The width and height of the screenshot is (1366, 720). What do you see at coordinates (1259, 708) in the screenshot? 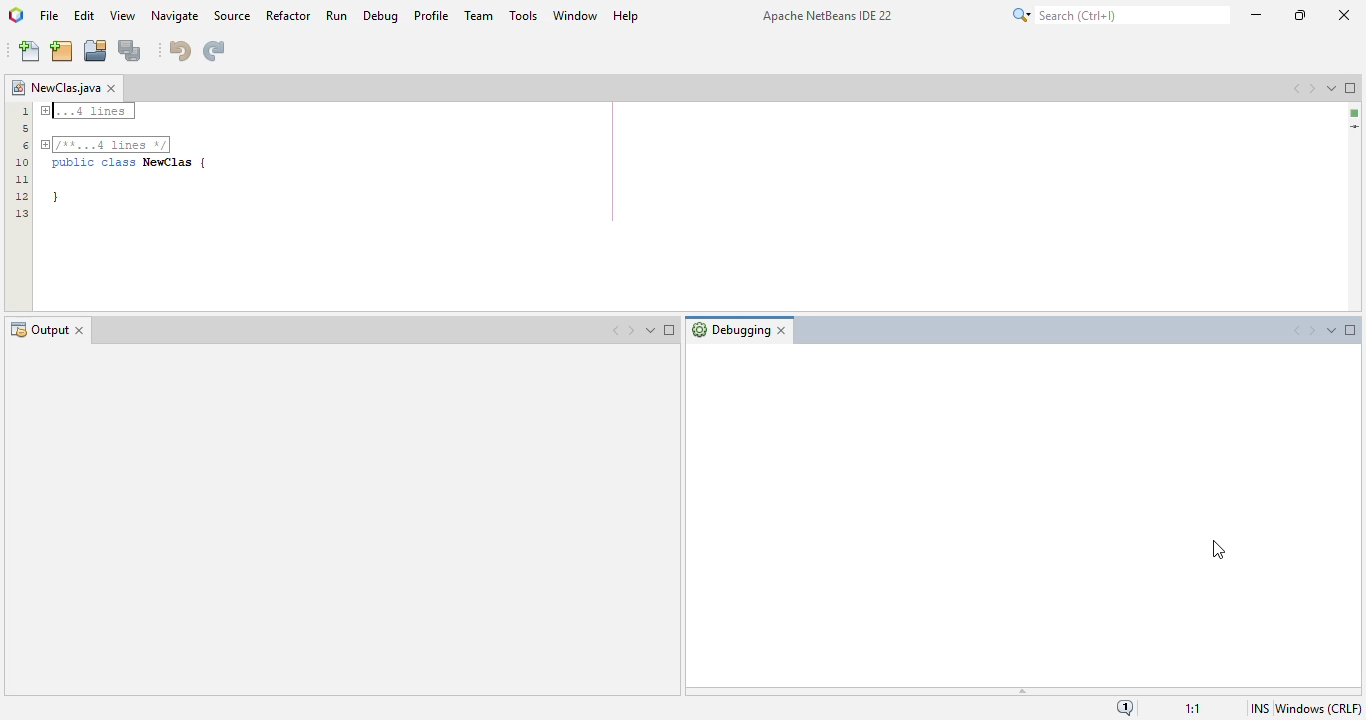
I see `insert mode` at bounding box center [1259, 708].